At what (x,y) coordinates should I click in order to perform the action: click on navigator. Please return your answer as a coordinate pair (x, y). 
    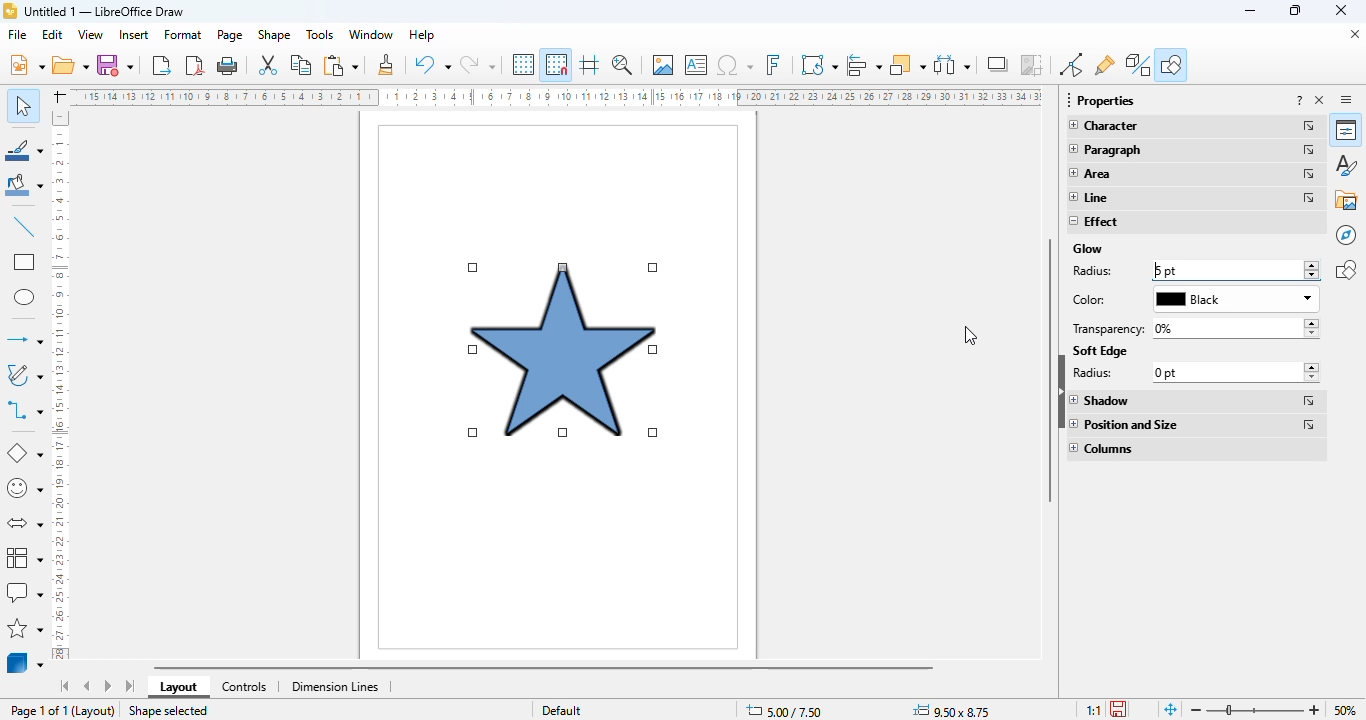
    Looking at the image, I should click on (1347, 235).